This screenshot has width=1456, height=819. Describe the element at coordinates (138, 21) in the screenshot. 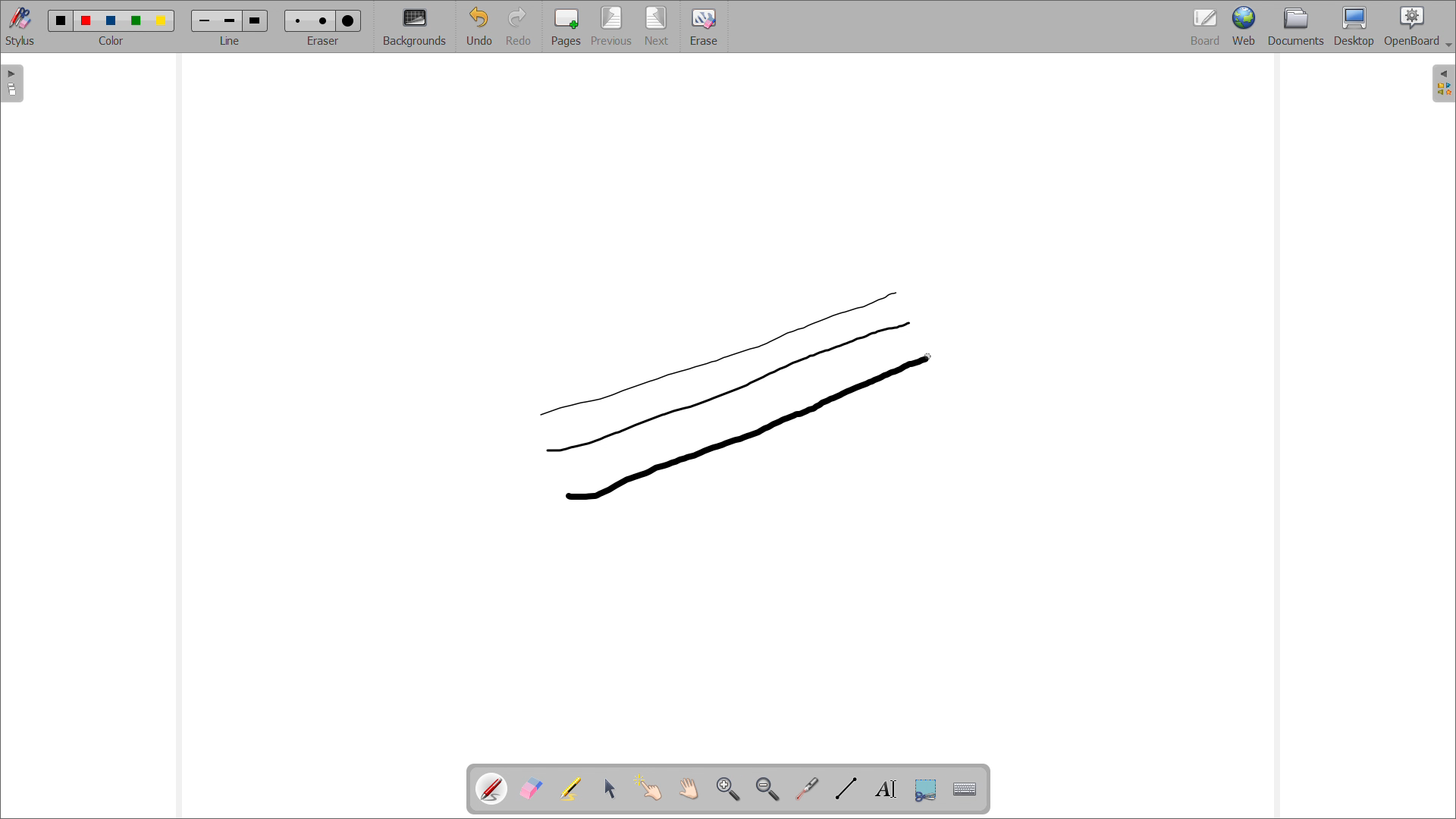

I see `color` at that location.